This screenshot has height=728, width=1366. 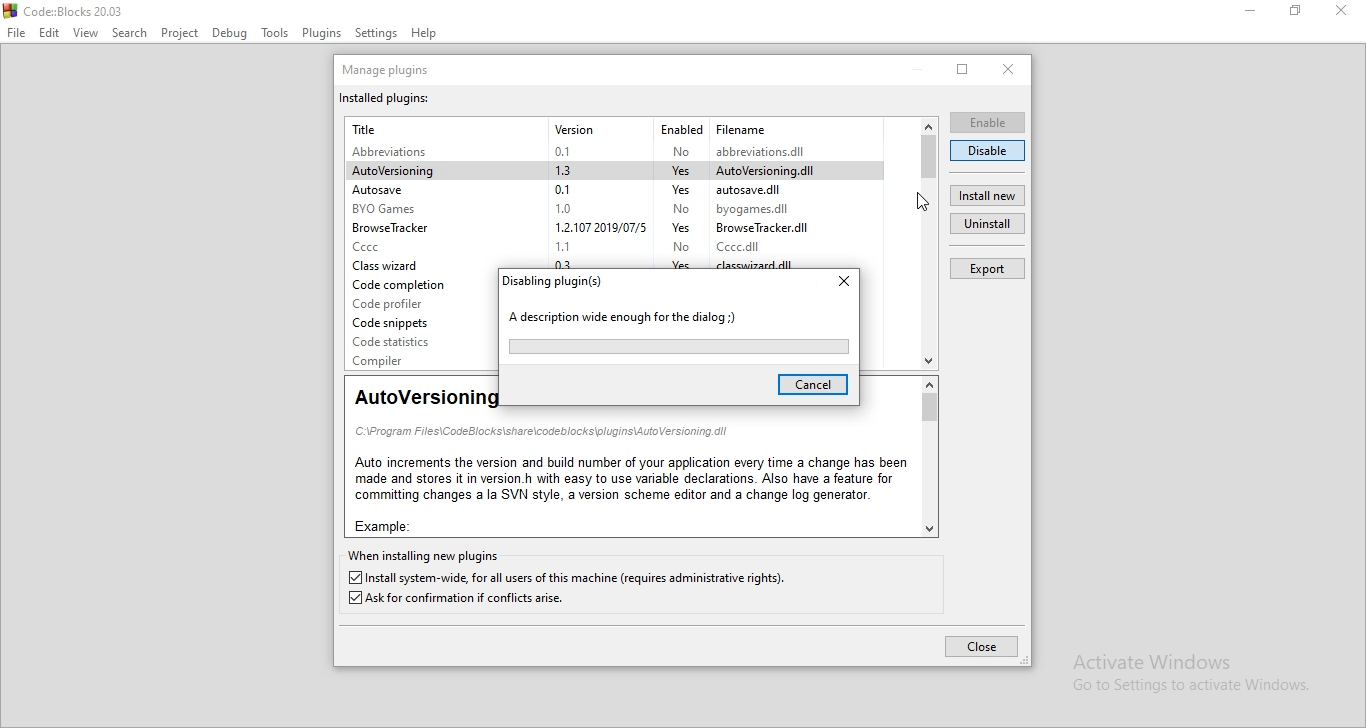 What do you see at coordinates (741, 127) in the screenshot?
I see `Filename` at bounding box center [741, 127].